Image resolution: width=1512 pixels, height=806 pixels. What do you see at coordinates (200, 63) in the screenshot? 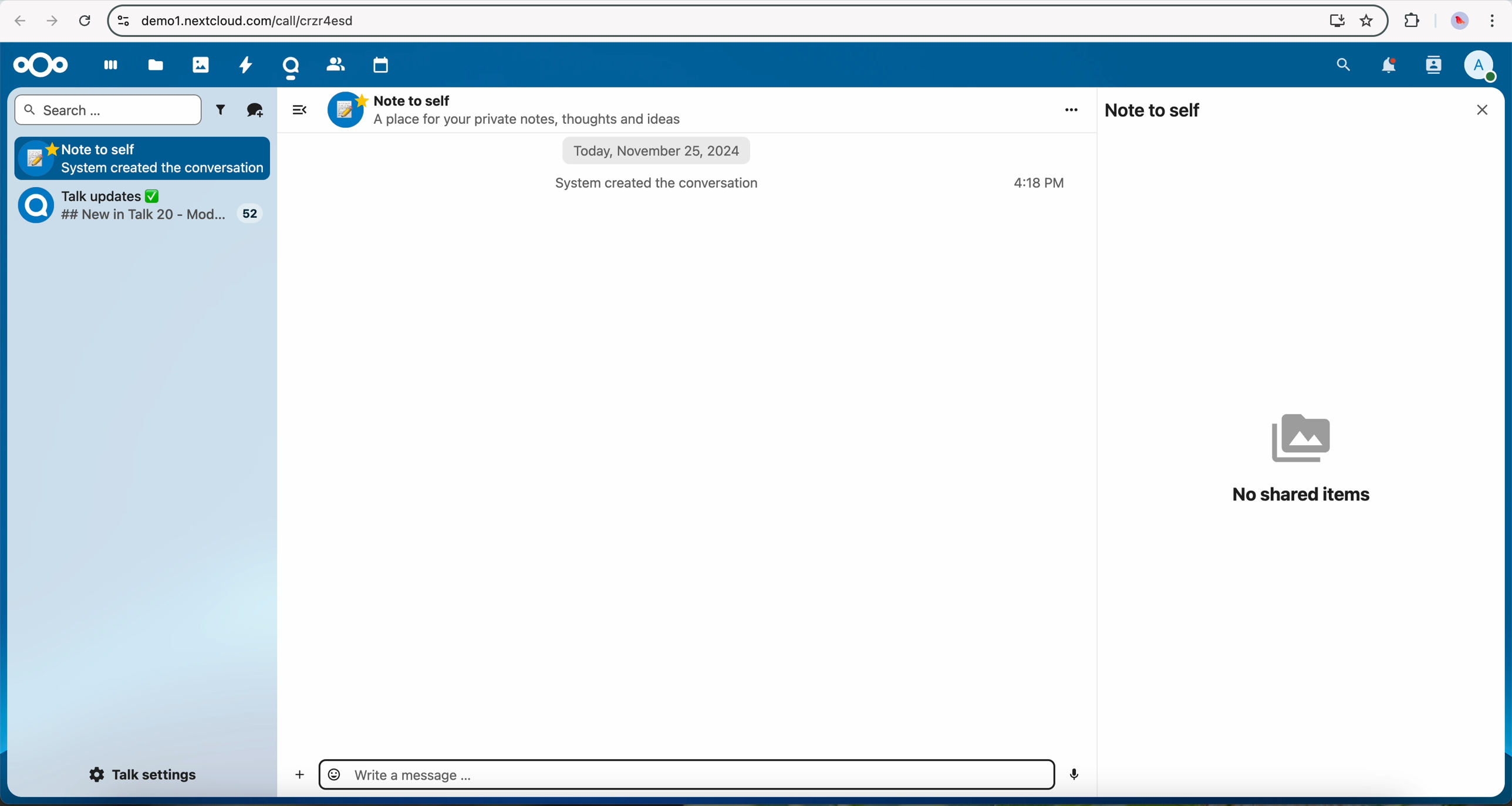
I see `photos` at bounding box center [200, 63].